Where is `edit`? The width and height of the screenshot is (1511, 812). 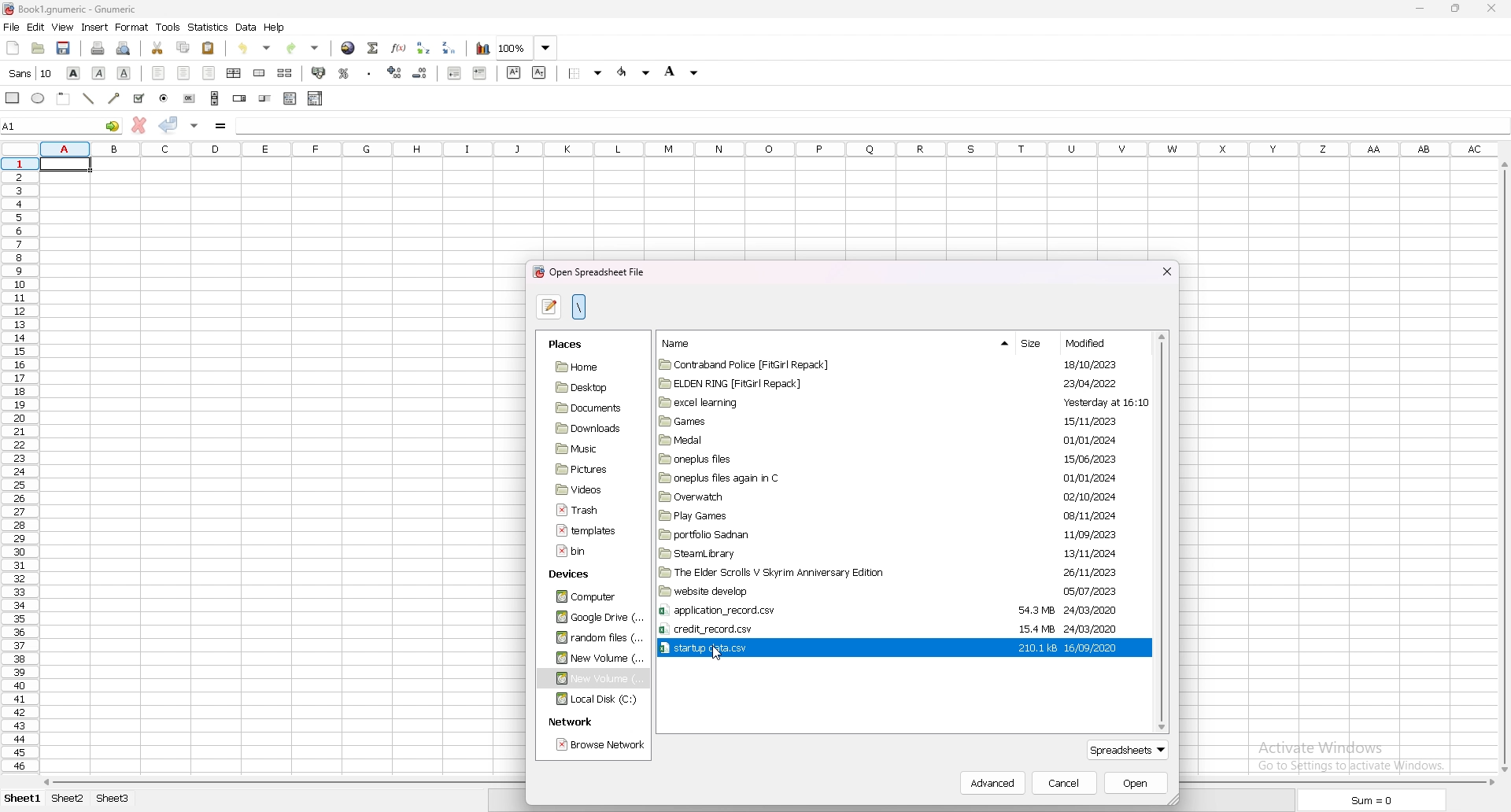
edit is located at coordinates (35, 27).